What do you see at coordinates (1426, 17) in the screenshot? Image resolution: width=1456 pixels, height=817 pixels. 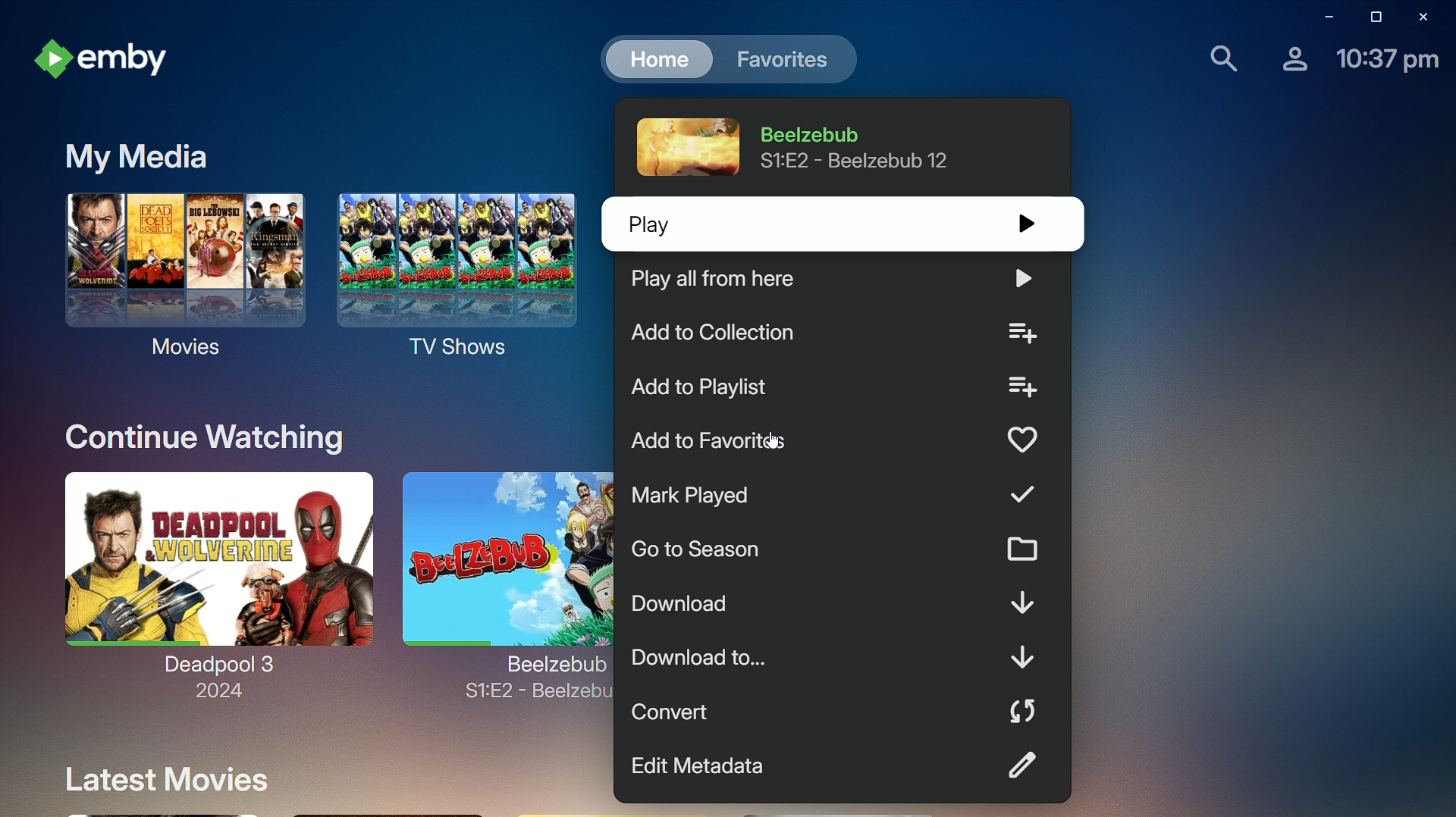 I see `Close` at bounding box center [1426, 17].